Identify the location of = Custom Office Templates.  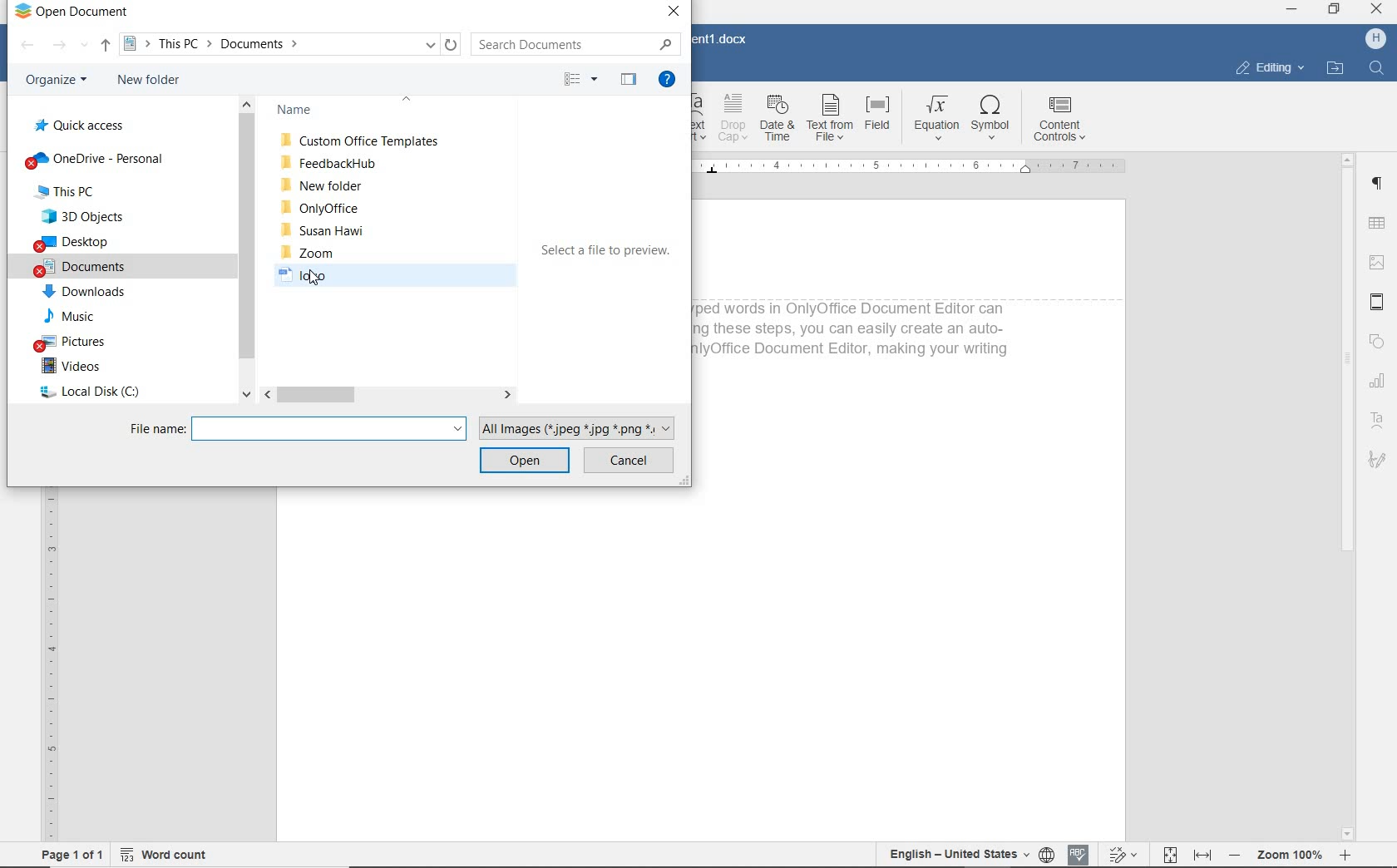
(363, 141).